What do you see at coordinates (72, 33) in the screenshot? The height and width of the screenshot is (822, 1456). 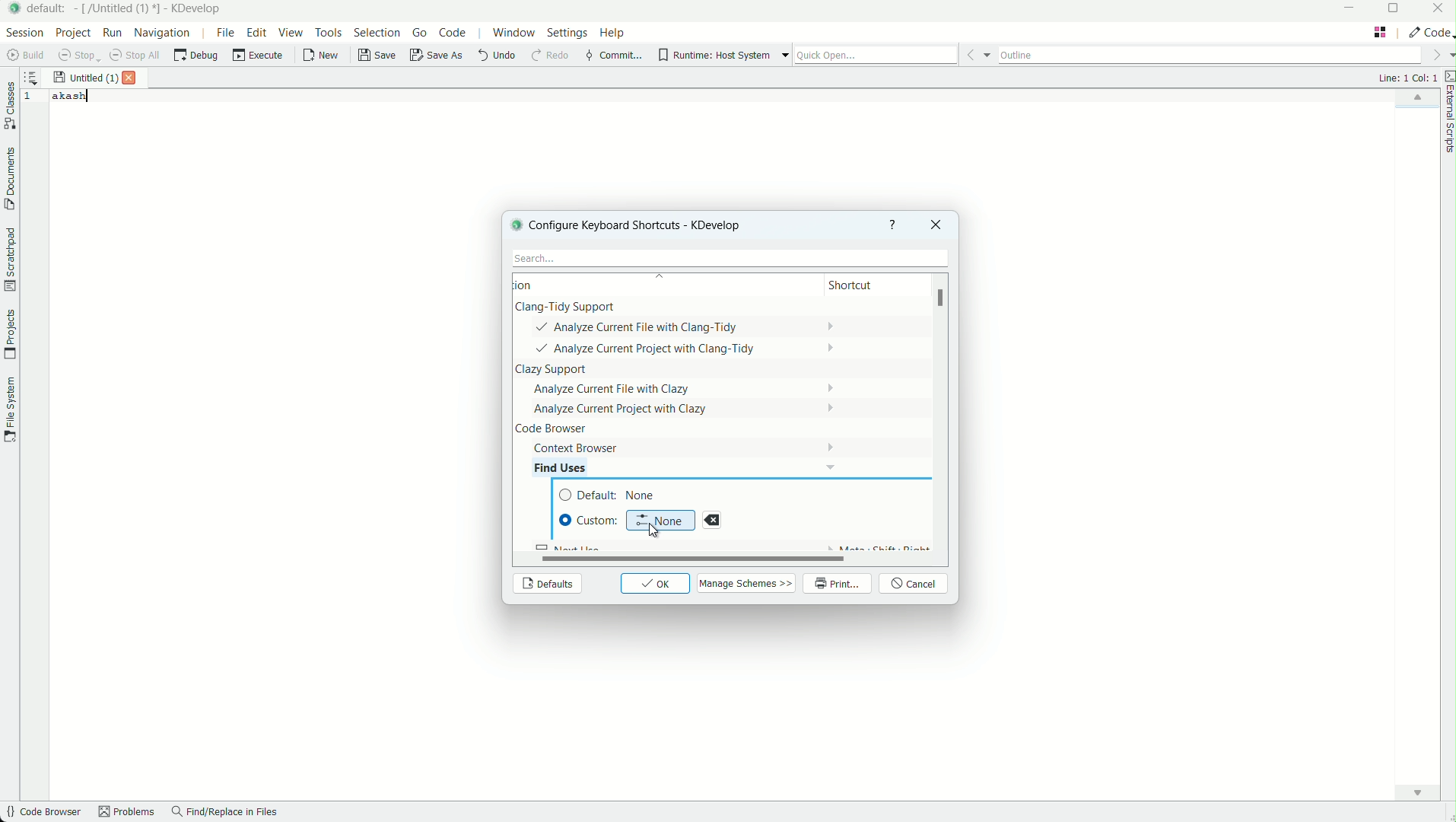 I see `project menu` at bounding box center [72, 33].